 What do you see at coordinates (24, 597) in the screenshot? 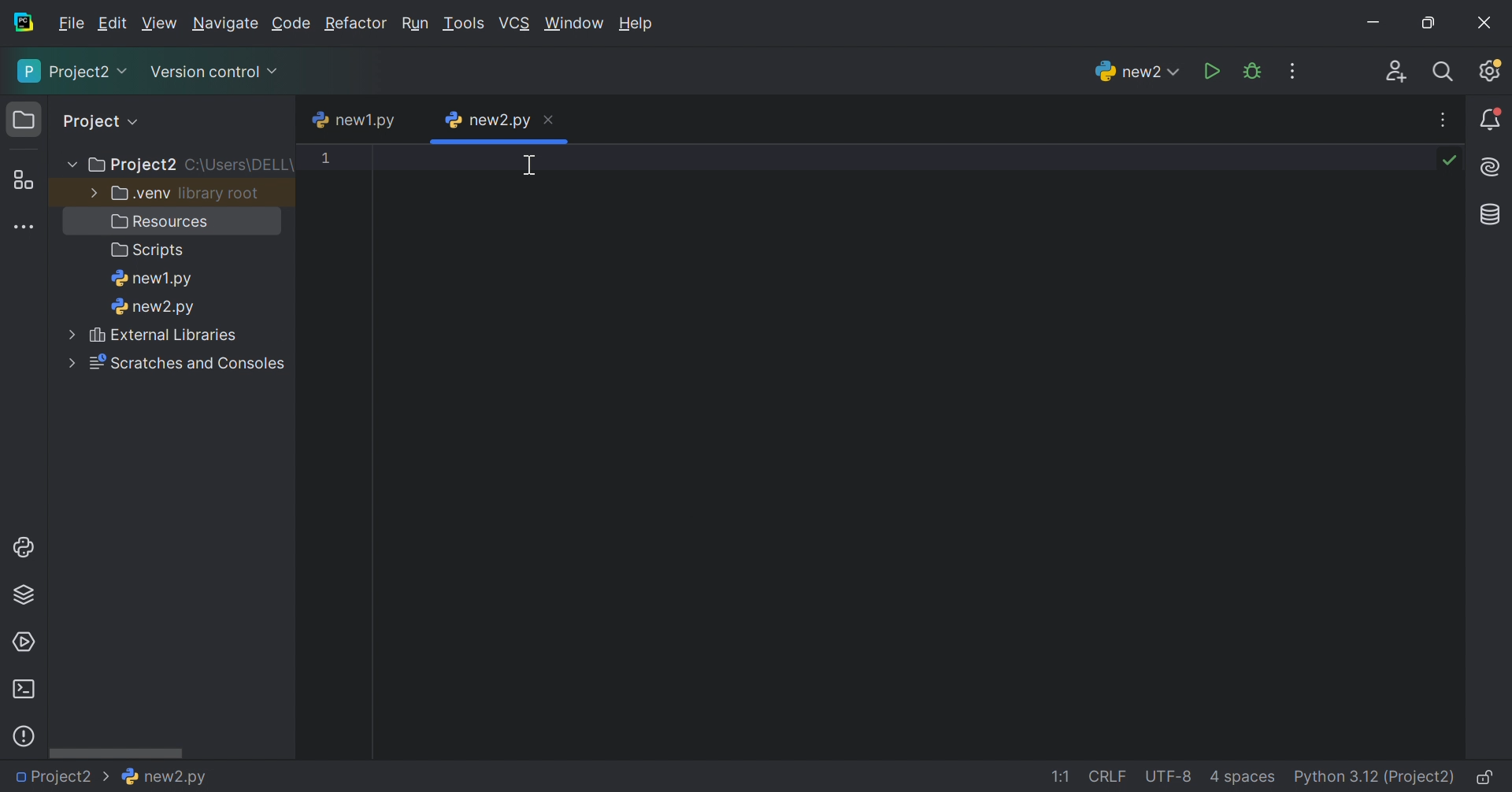
I see `Python Packages` at bounding box center [24, 597].